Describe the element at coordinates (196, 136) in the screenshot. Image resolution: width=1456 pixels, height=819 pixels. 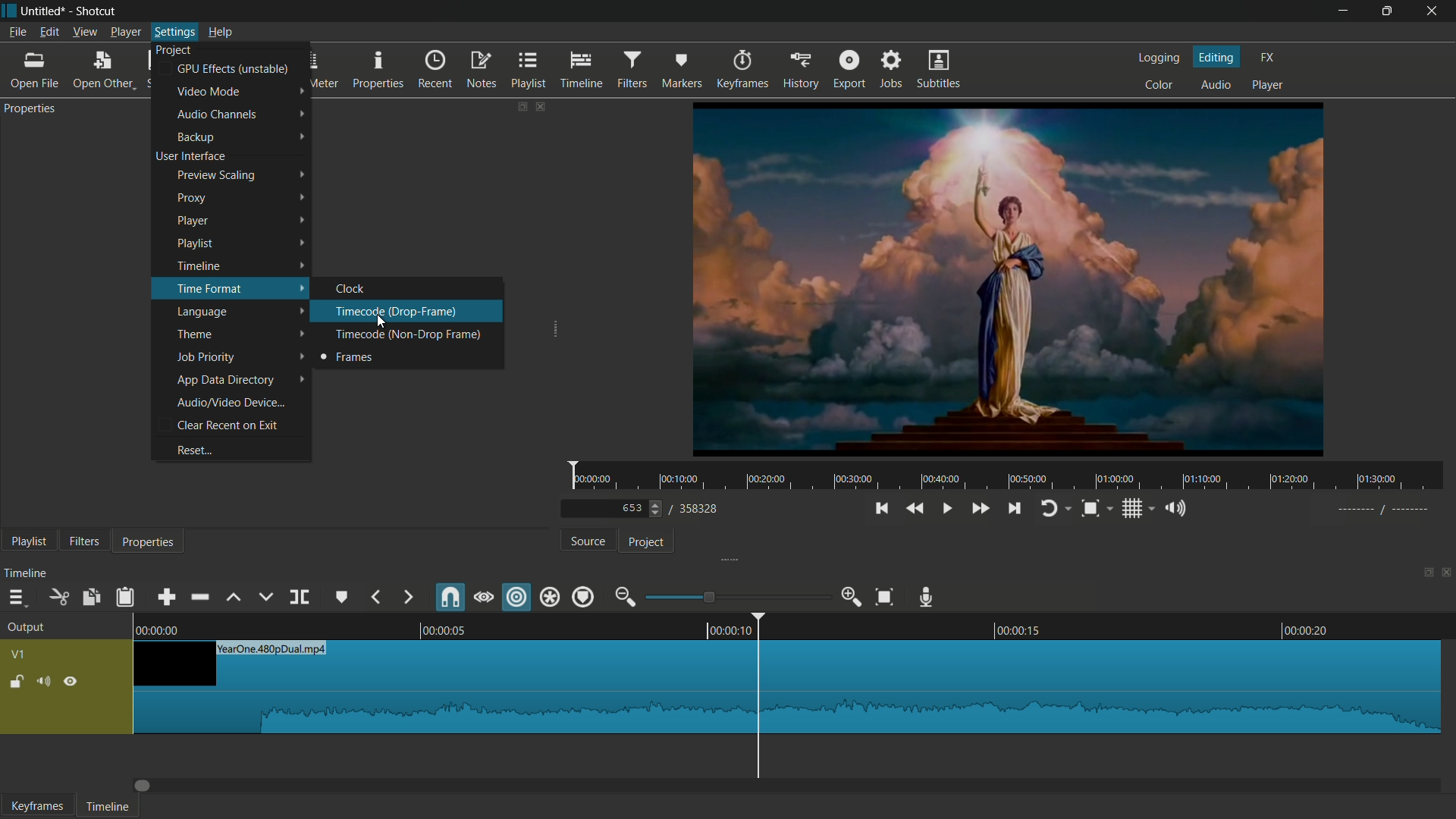
I see `backup` at that location.